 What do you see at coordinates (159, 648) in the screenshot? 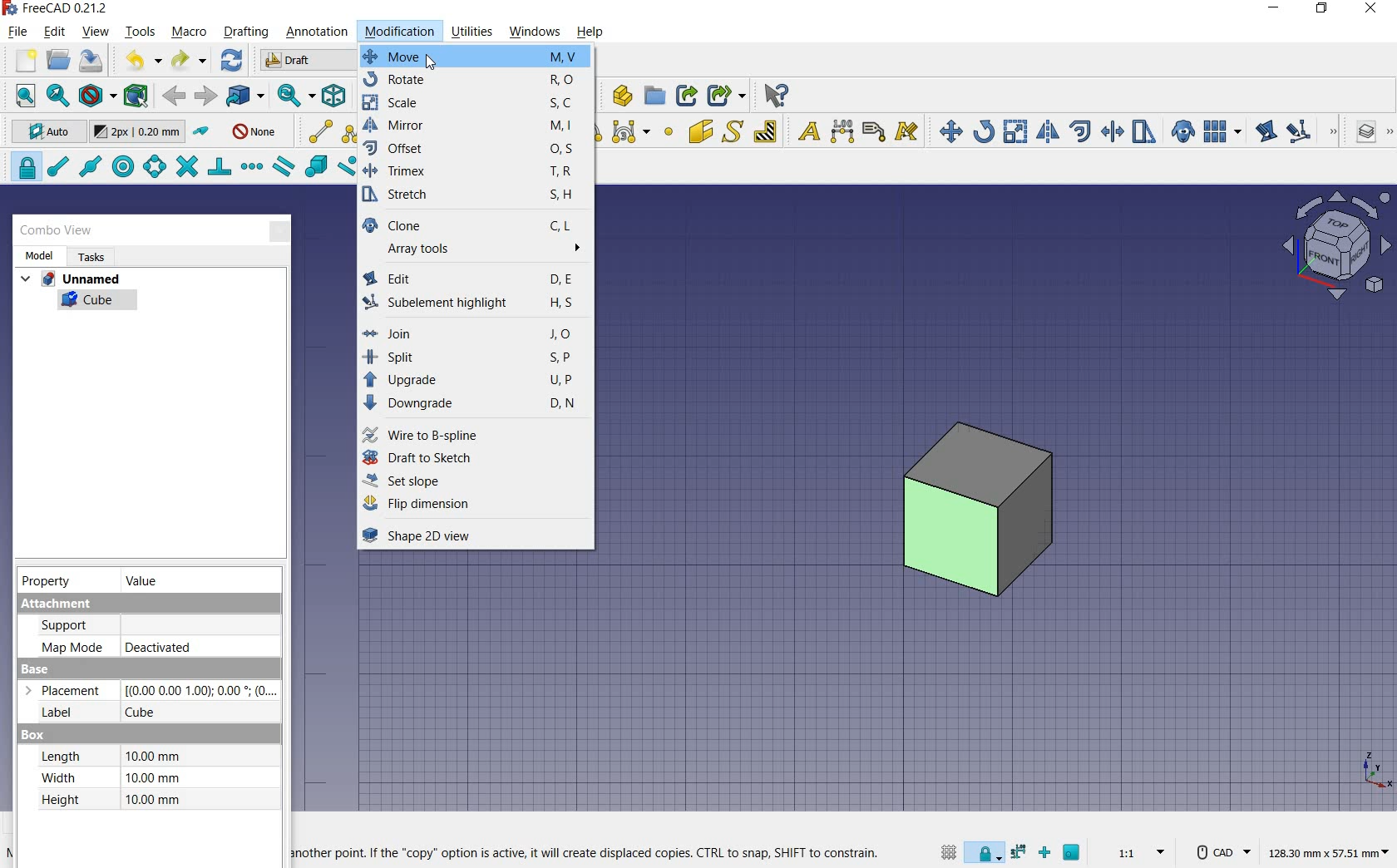
I see `deactivated` at bounding box center [159, 648].